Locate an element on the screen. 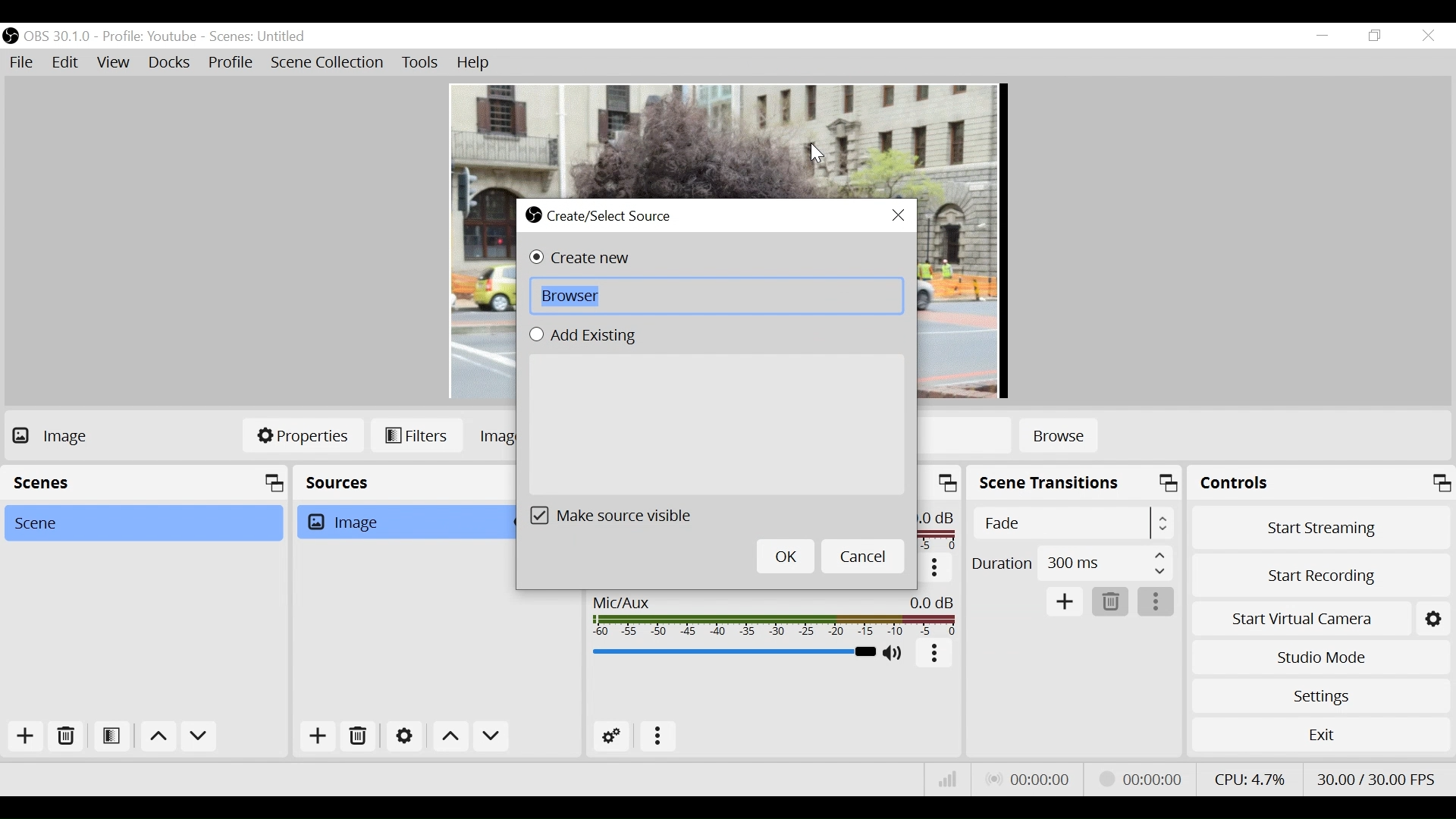 The width and height of the screenshot is (1456, 819). Duration is located at coordinates (1072, 565).